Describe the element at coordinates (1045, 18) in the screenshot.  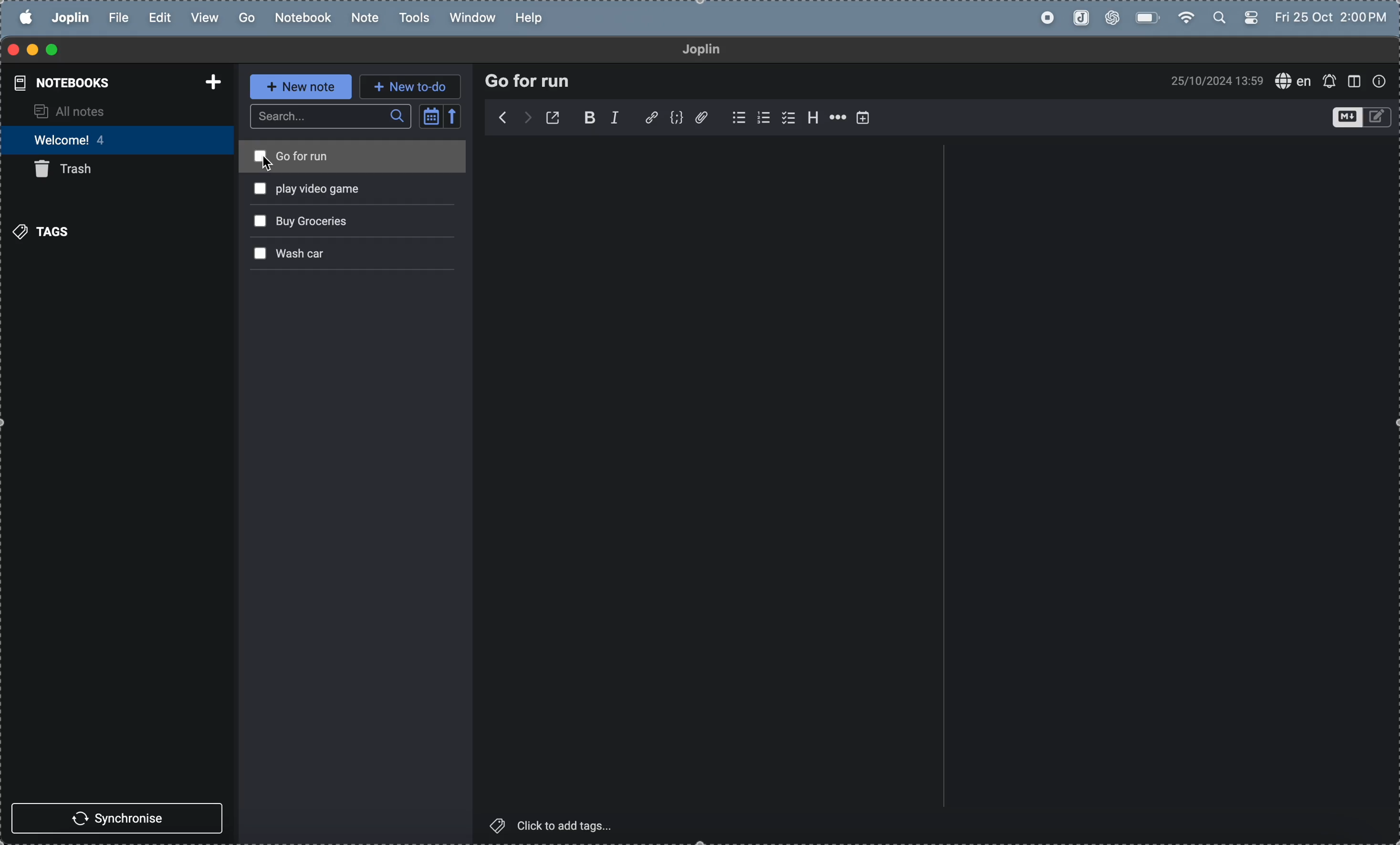
I see `record` at that location.